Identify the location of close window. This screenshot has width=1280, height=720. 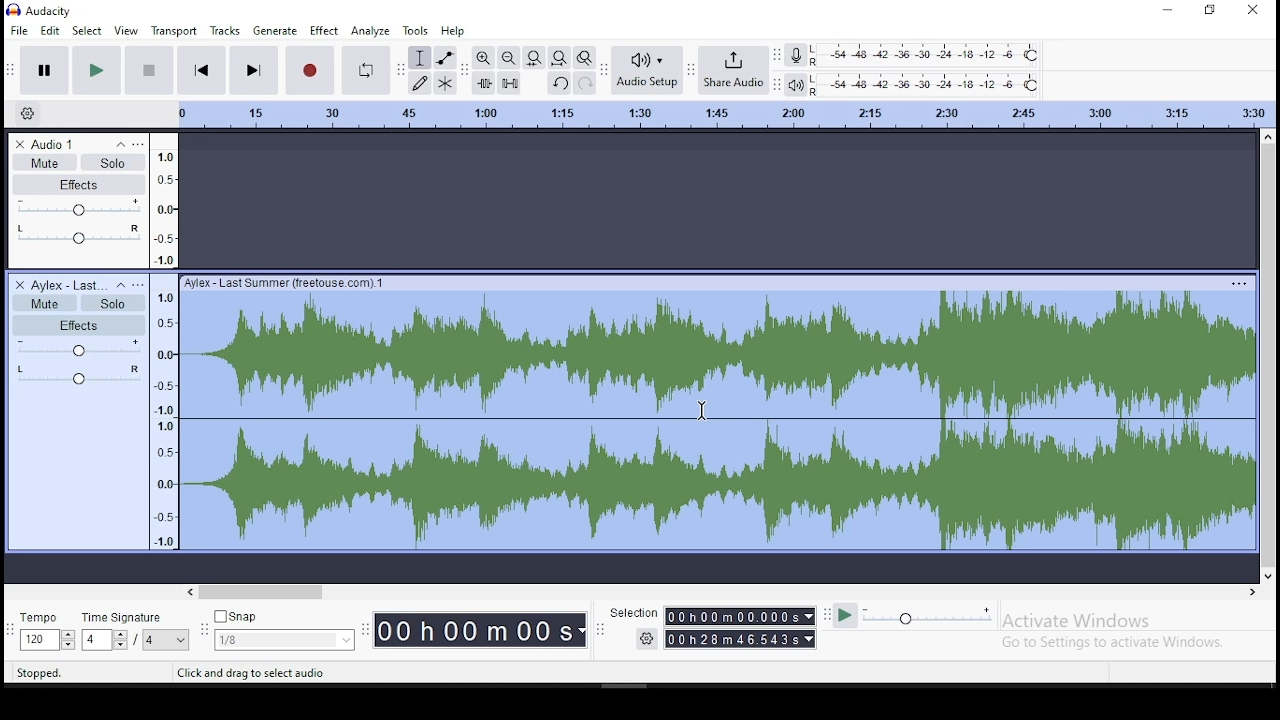
(1255, 10).